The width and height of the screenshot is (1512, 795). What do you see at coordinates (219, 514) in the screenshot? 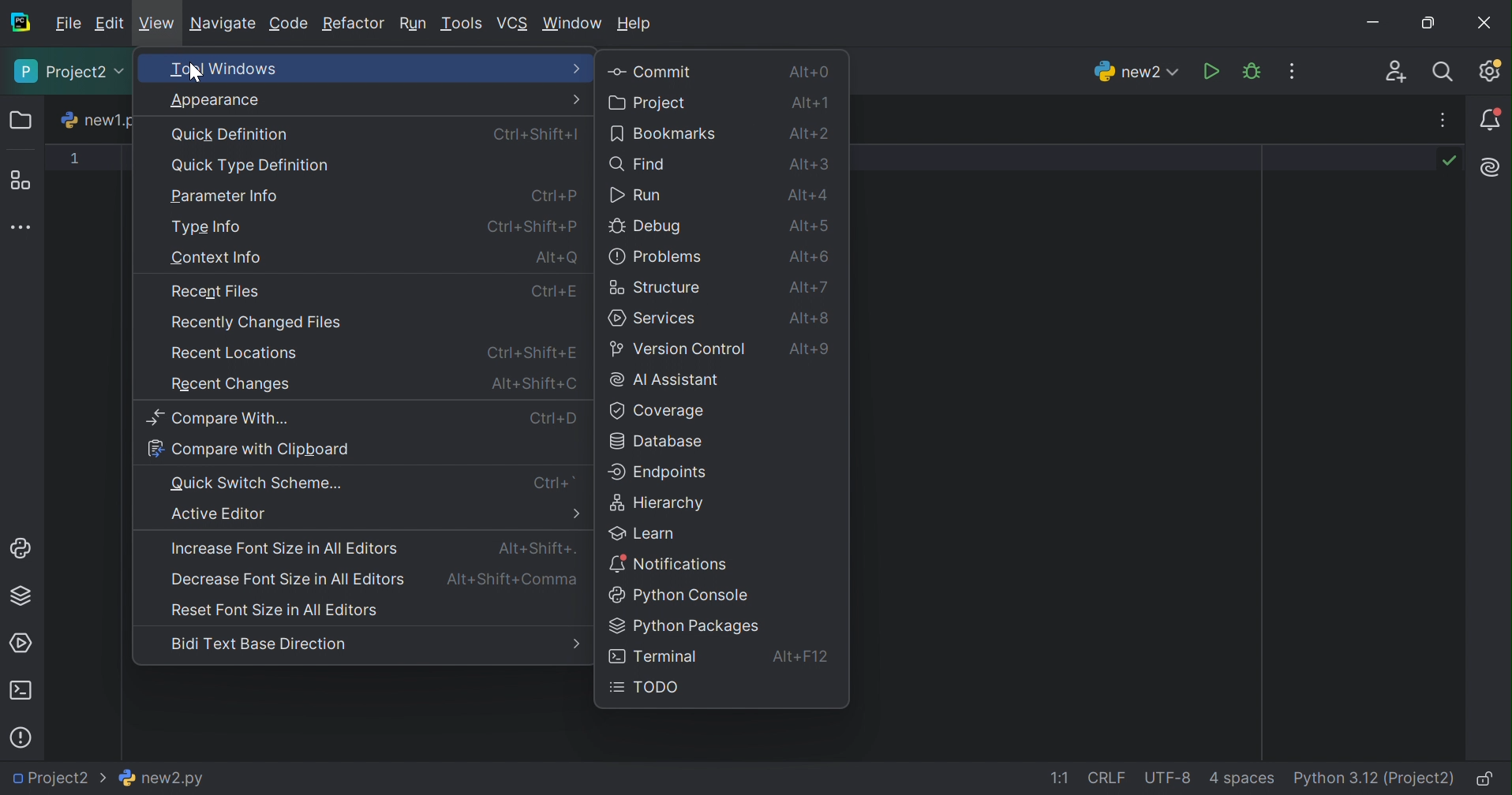
I see `Active Editor` at bounding box center [219, 514].